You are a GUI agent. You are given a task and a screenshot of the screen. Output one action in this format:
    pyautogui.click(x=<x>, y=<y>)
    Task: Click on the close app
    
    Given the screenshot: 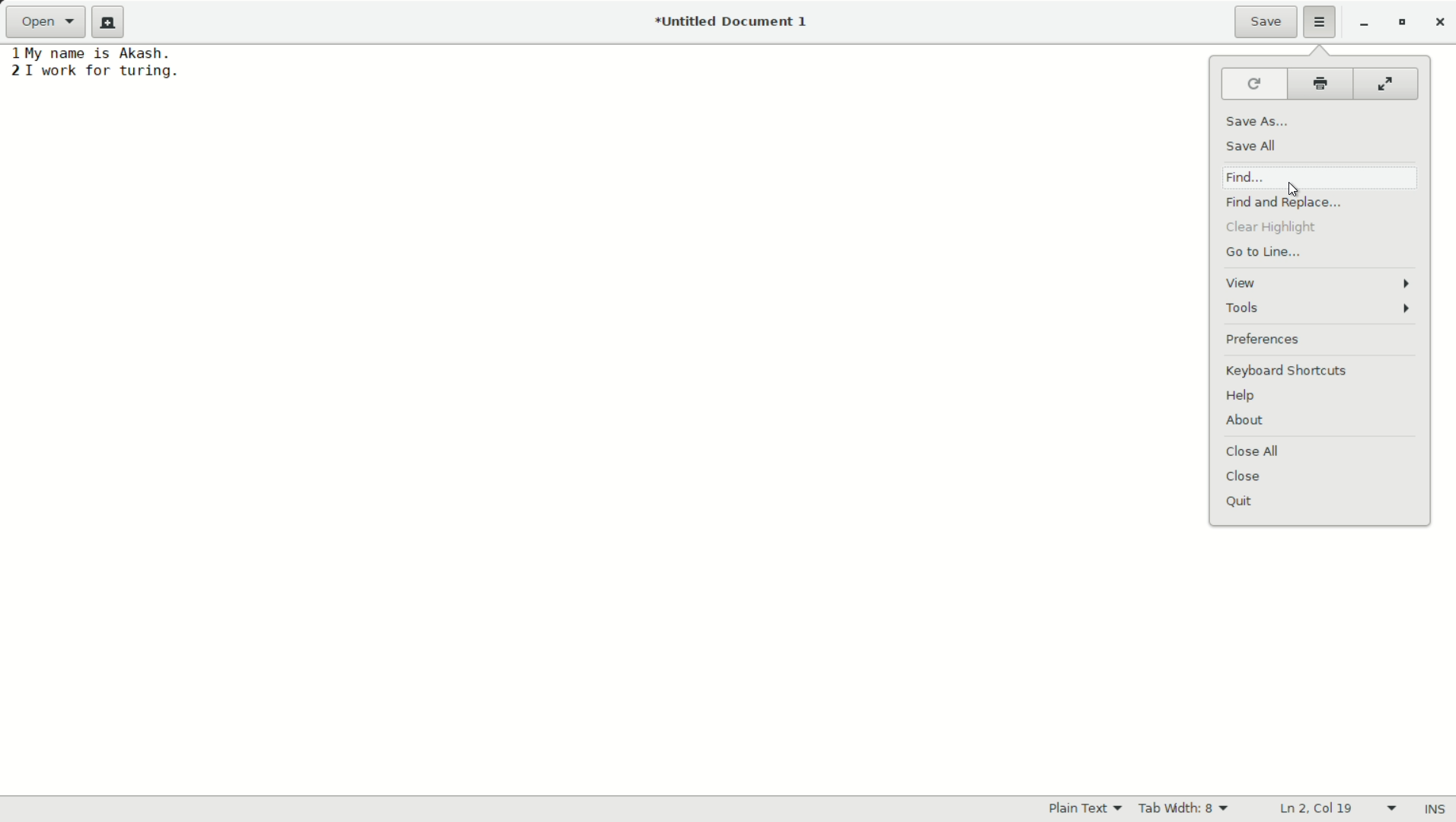 What is the action you would take?
    pyautogui.click(x=1438, y=24)
    